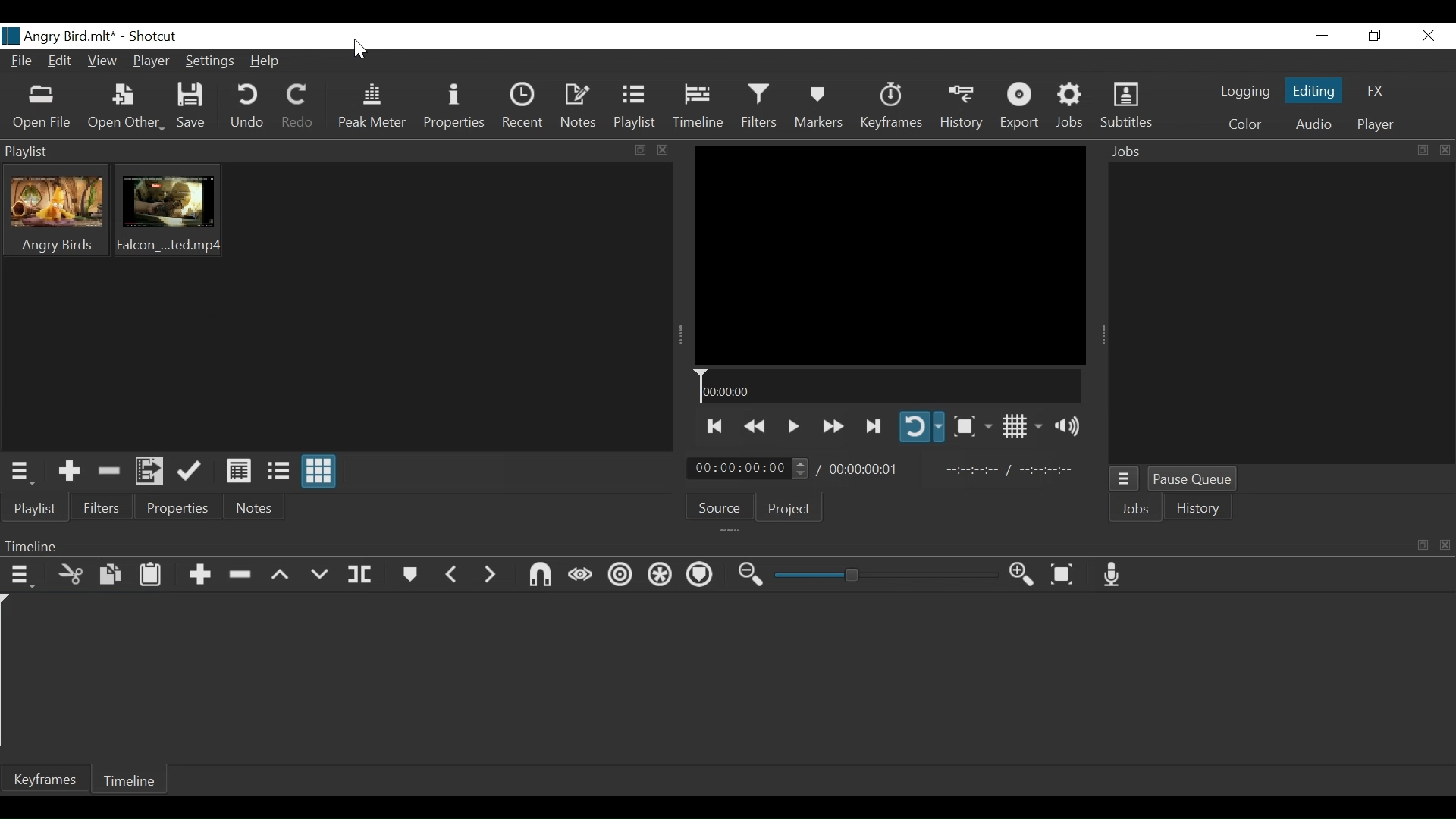 Image resolution: width=1456 pixels, height=819 pixels. I want to click on Append, so click(201, 575).